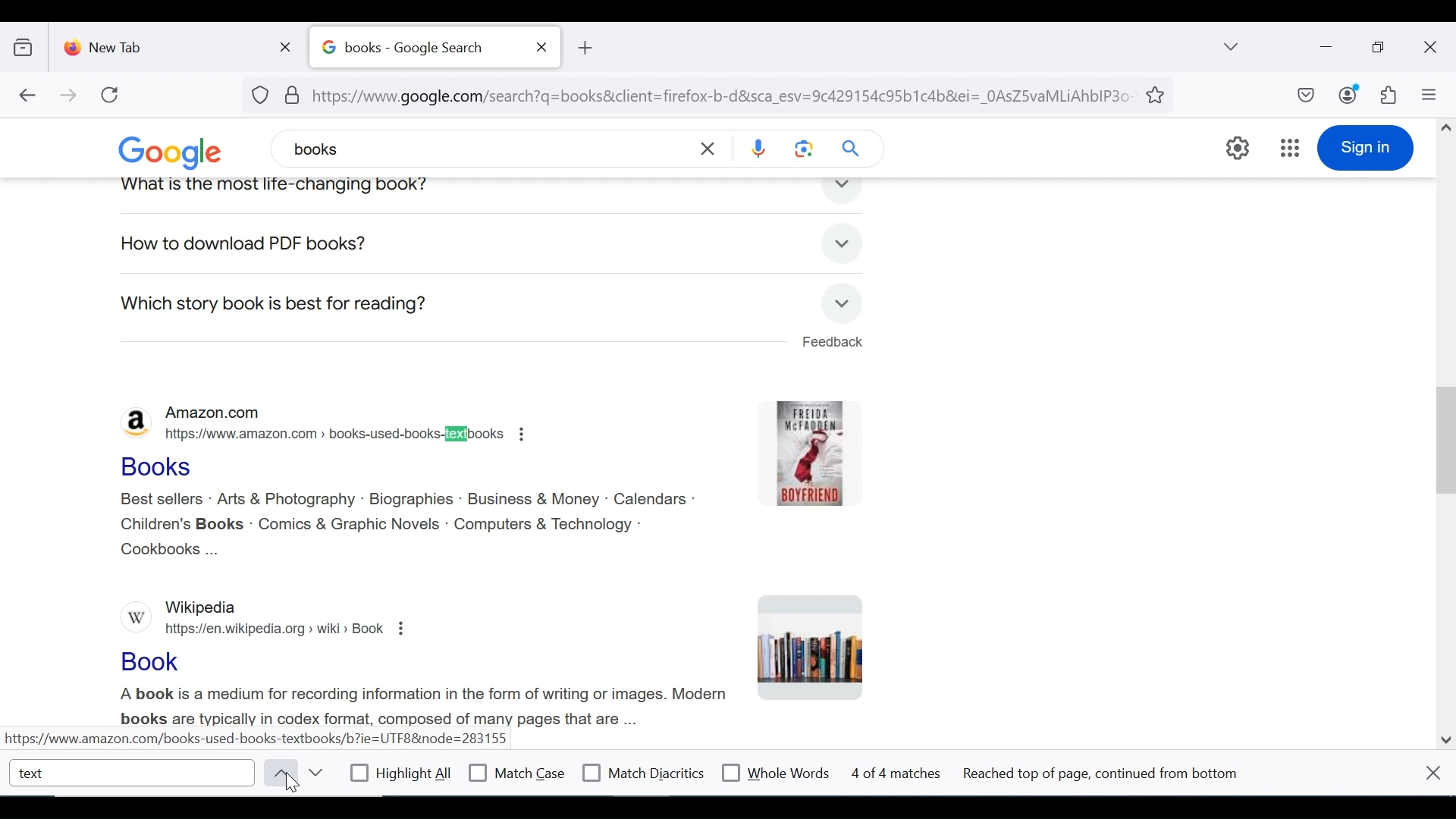 This screenshot has height=819, width=1456. Describe the element at coordinates (1365, 148) in the screenshot. I see `sign in` at that location.